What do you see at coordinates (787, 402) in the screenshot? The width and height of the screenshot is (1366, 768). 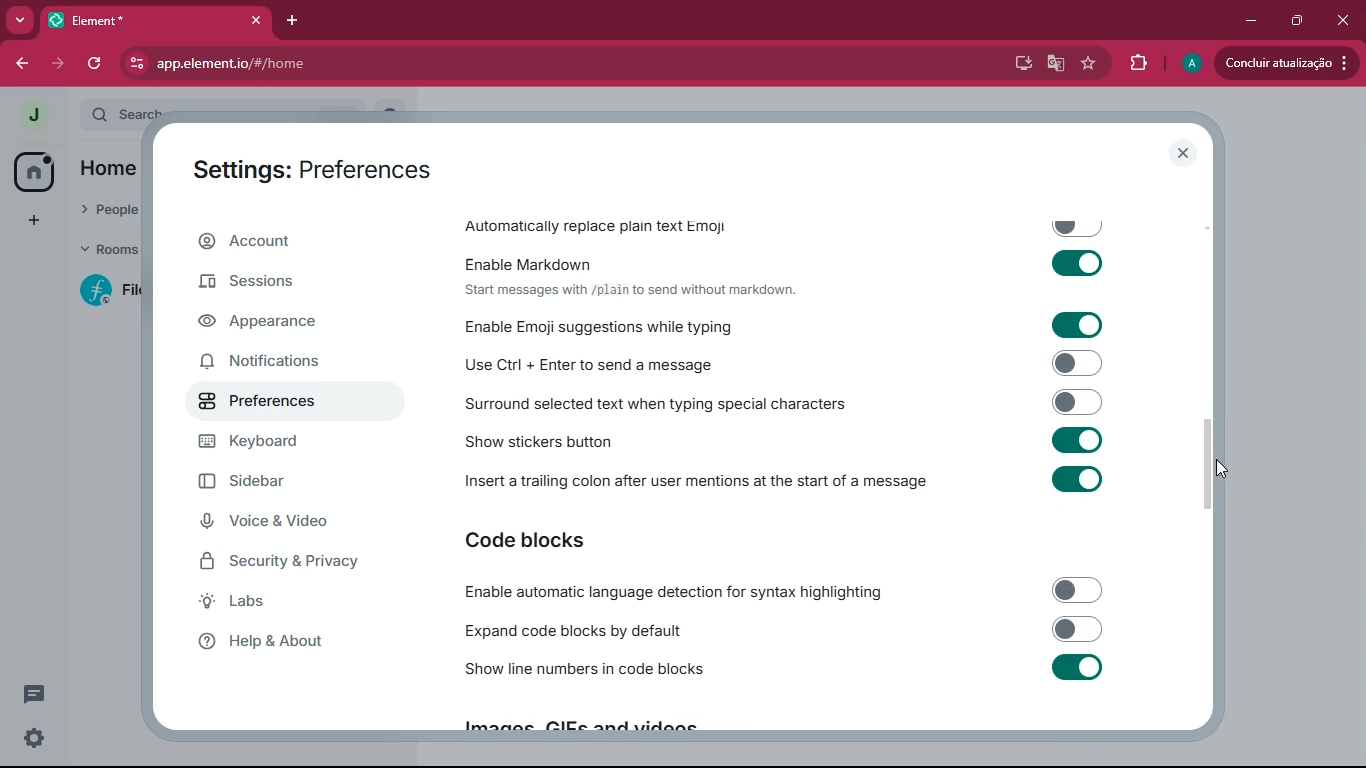 I see `Surround selected text when typing special characters` at bounding box center [787, 402].